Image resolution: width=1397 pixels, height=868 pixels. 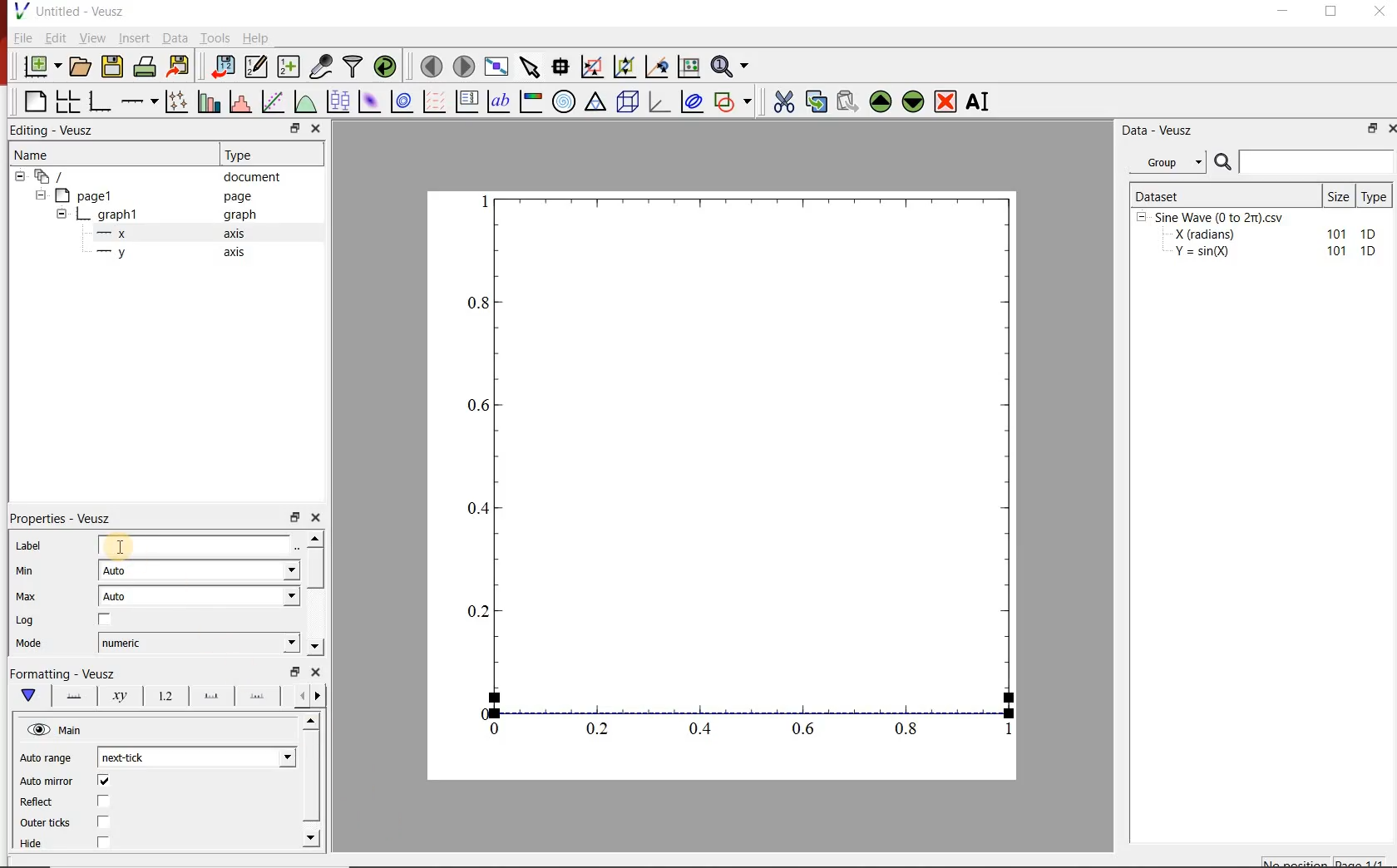 I want to click on Min/Max, so click(x=295, y=515).